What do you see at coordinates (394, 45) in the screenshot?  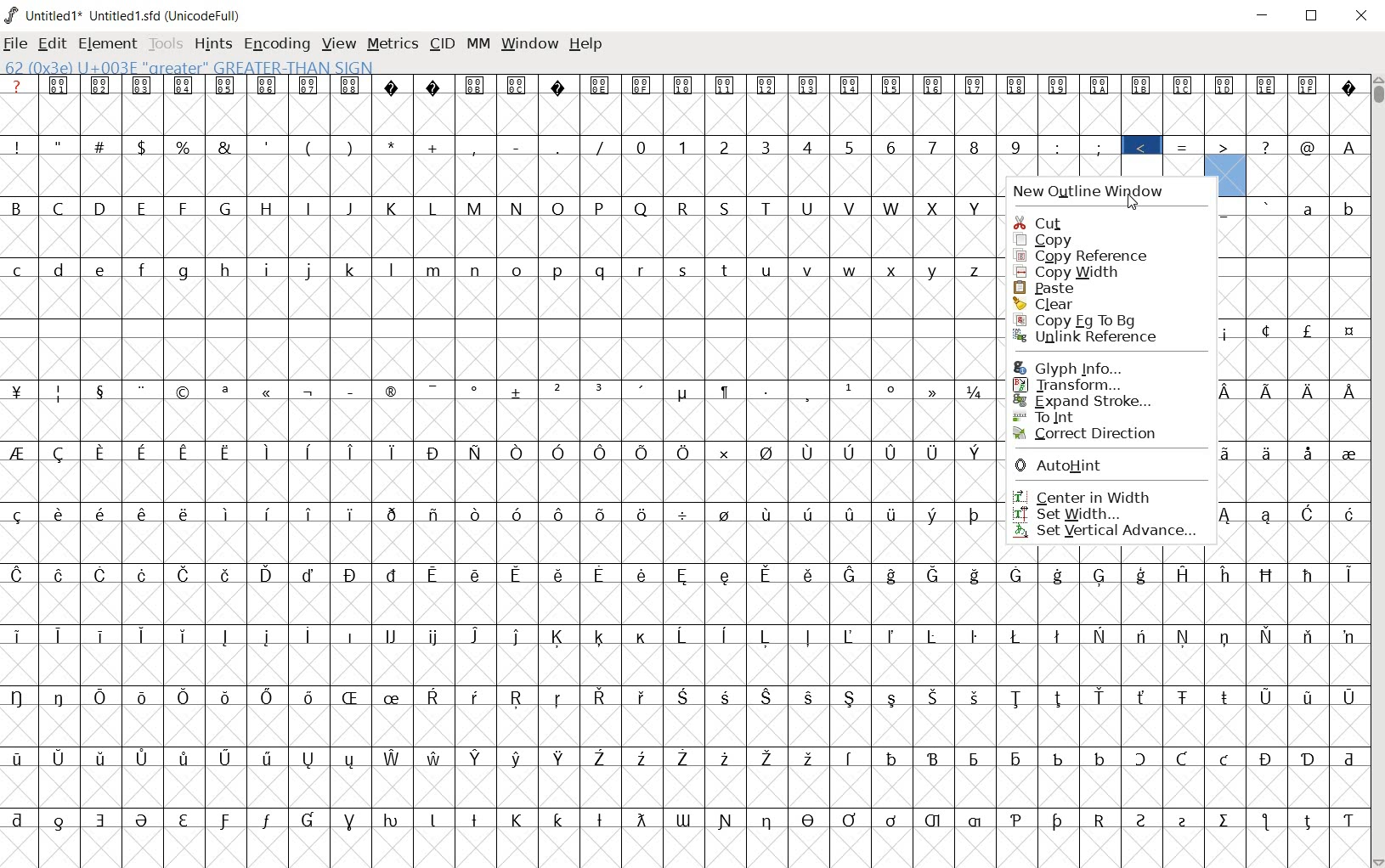 I see `metrics` at bounding box center [394, 45].